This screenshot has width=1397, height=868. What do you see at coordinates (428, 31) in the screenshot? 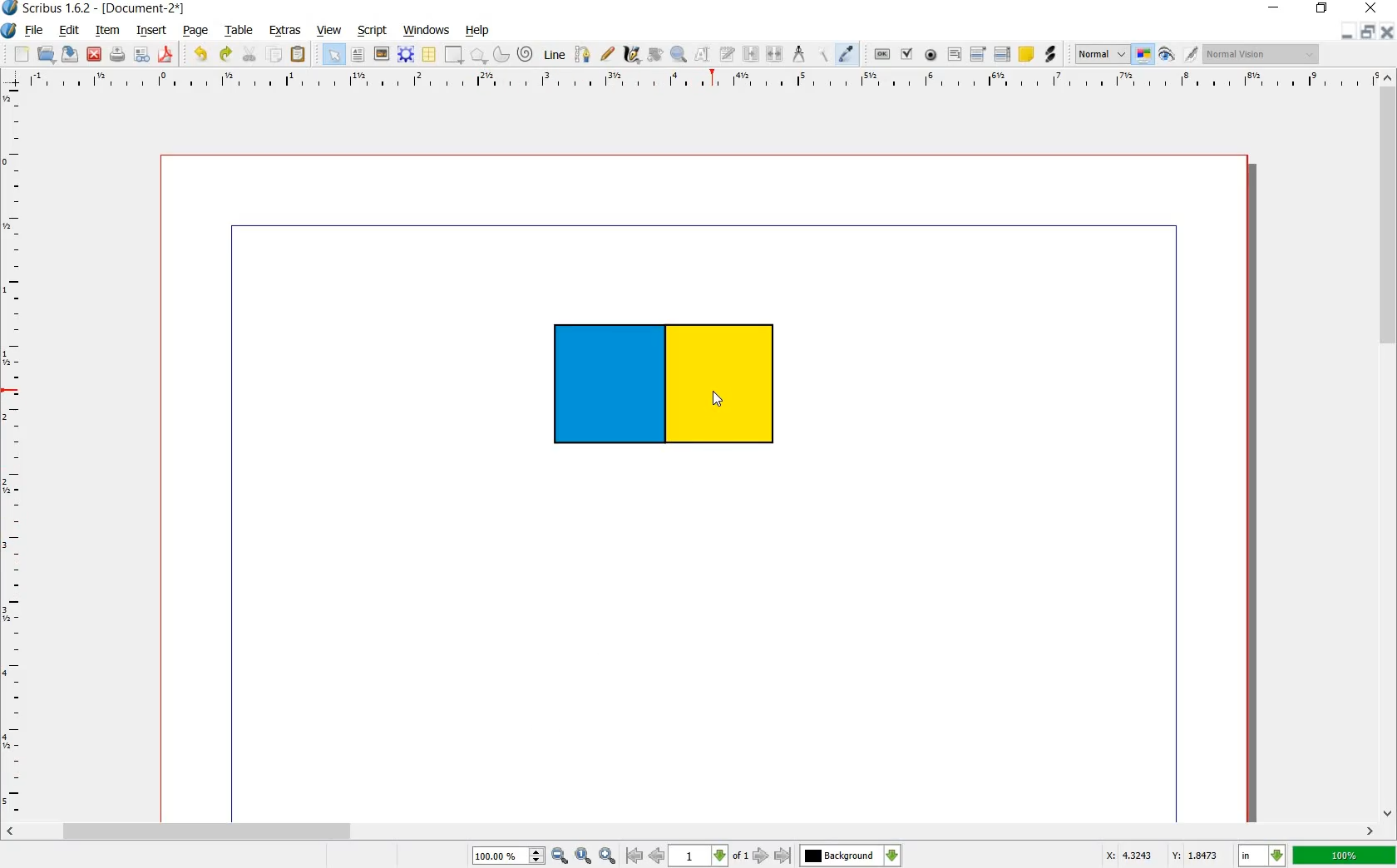
I see `windows` at bounding box center [428, 31].